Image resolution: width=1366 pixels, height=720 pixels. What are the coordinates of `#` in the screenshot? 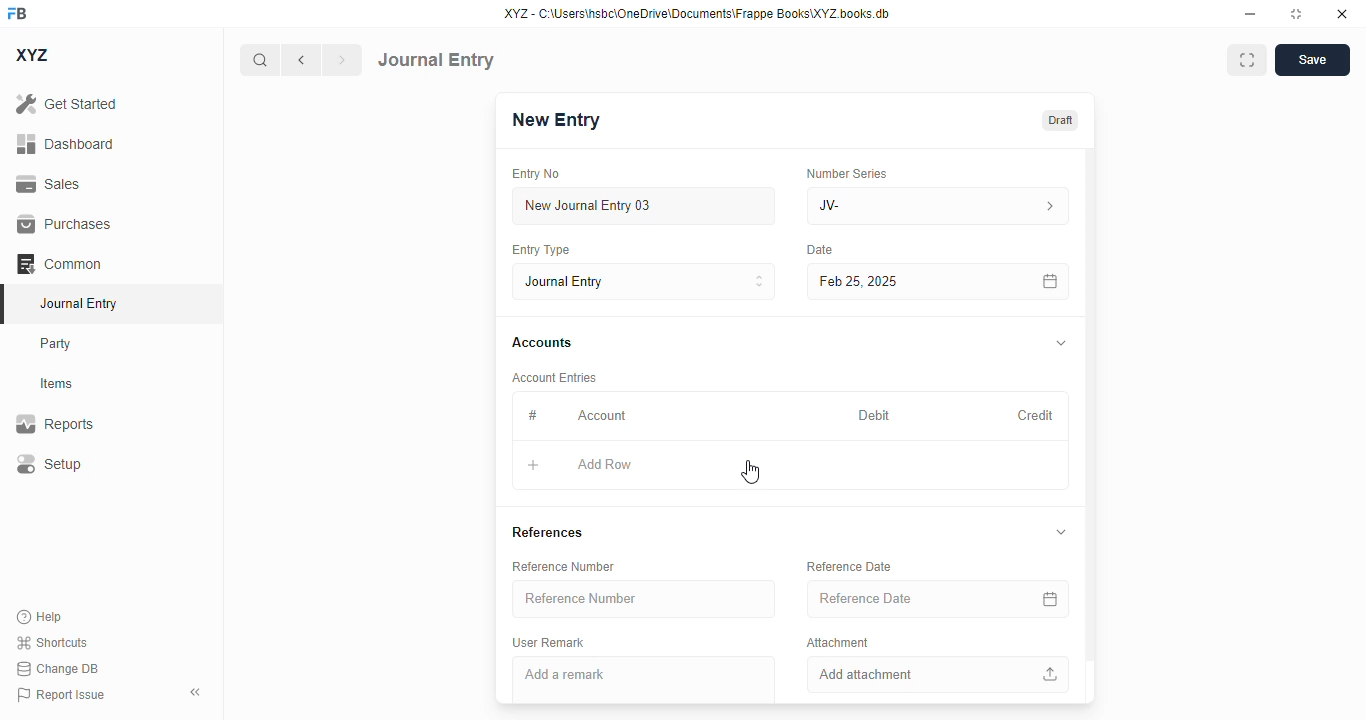 It's located at (532, 416).